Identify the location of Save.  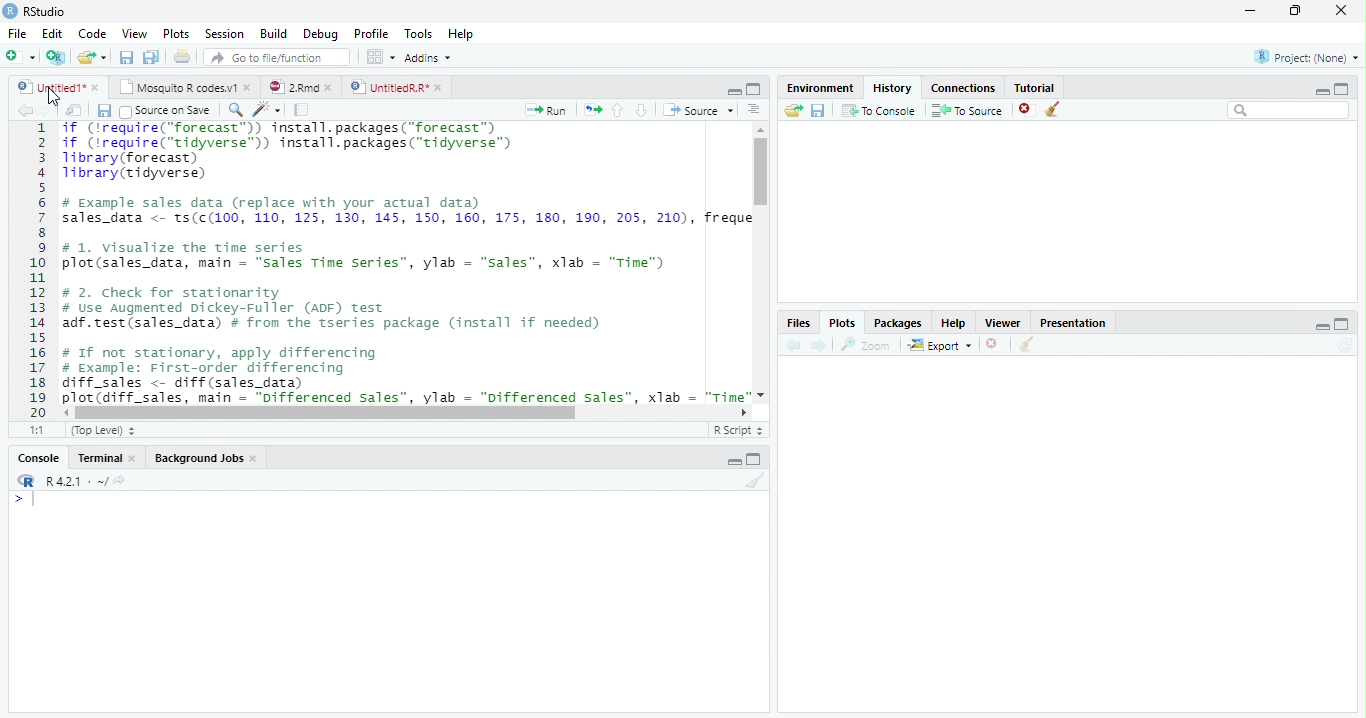
(102, 110).